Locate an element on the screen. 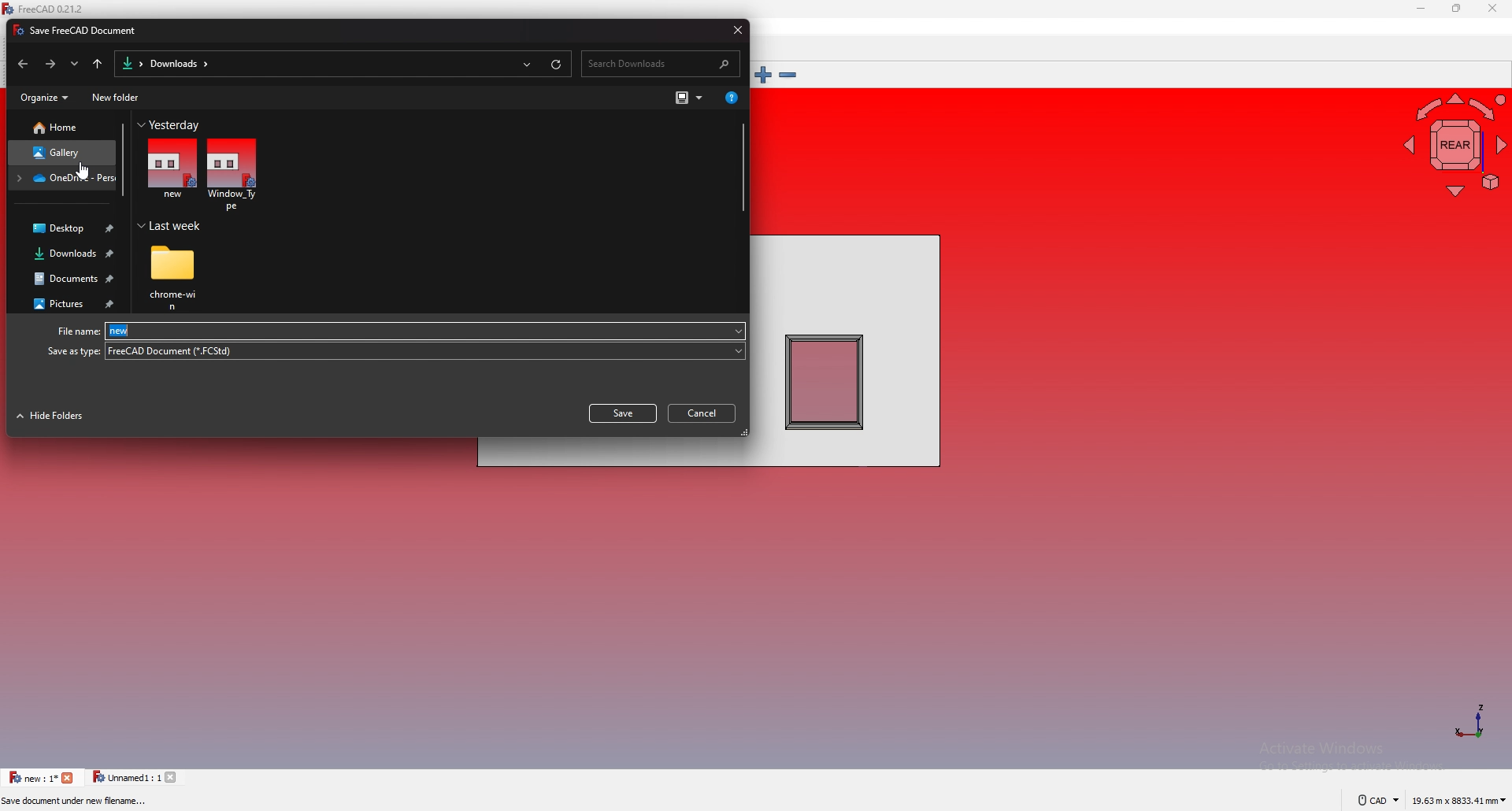  axis is located at coordinates (1470, 720).